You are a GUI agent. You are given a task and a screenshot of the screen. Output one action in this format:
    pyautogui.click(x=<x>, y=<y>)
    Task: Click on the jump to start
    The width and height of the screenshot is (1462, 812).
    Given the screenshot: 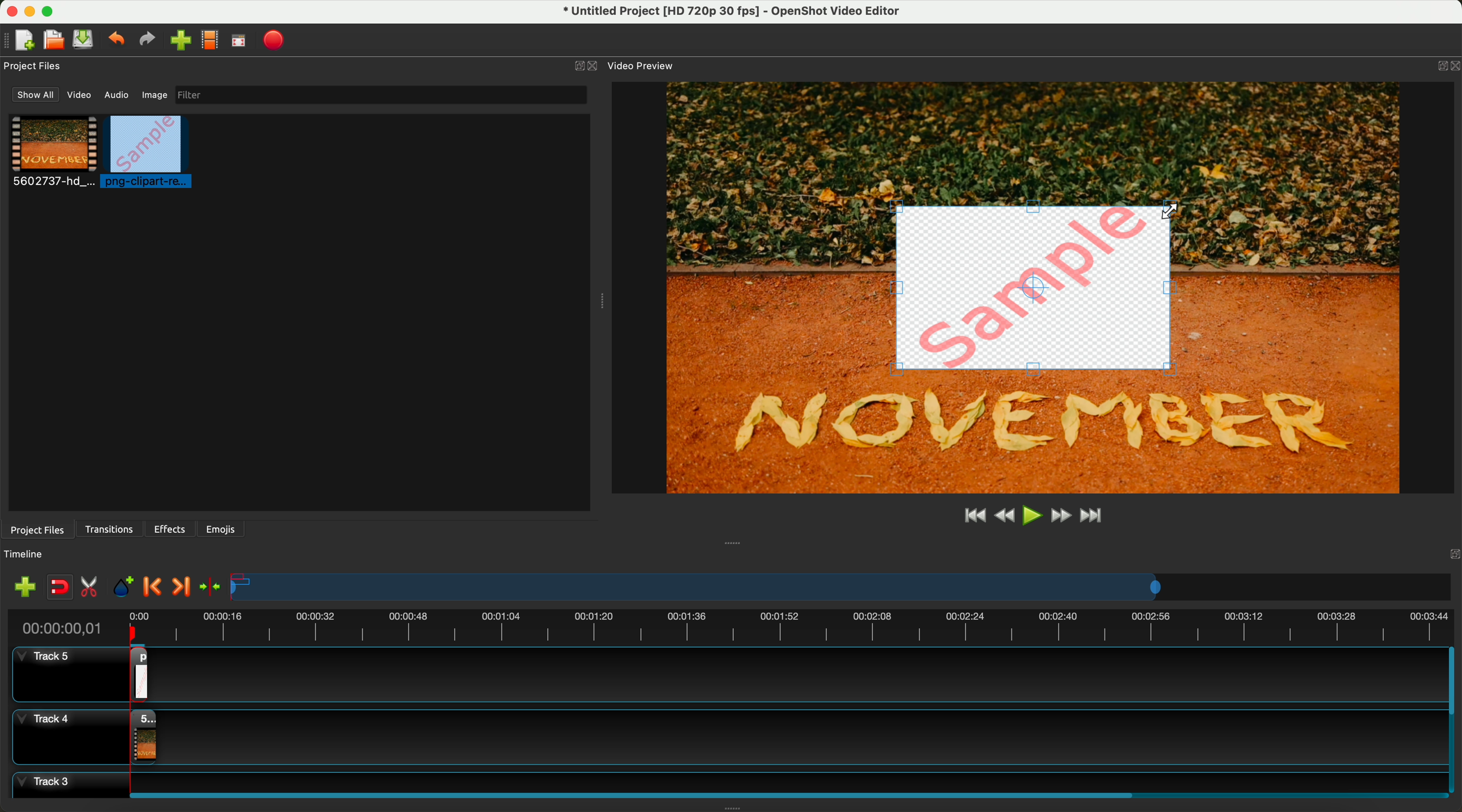 What is the action you would take?
    pyautogui.click(x=975, y=516)
    